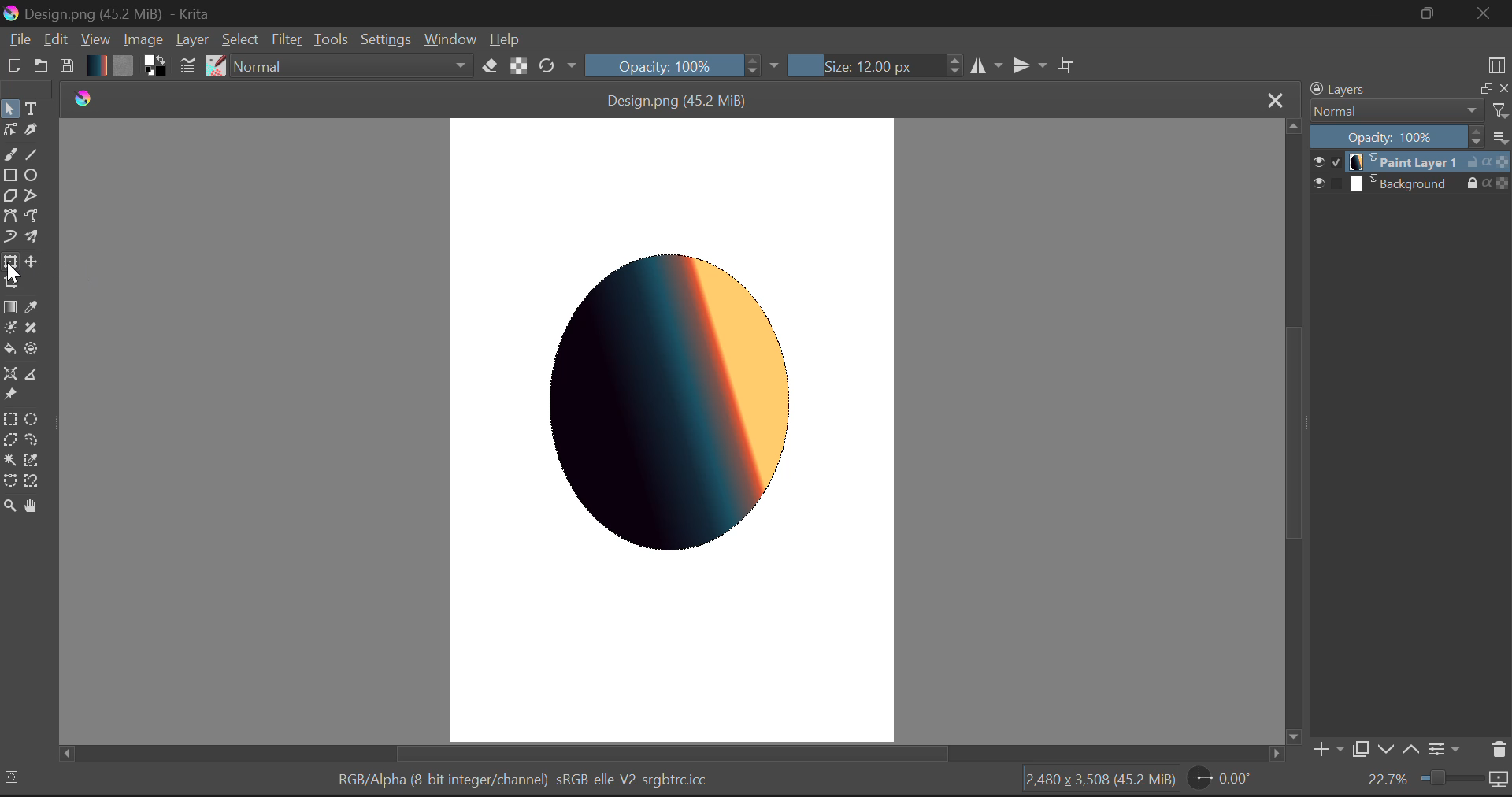 The width and height of the screenshot is (1512, 797). Describe the element at coordinates (30, 237) in the screenshot. I see `Multibrush Tool` at that location.